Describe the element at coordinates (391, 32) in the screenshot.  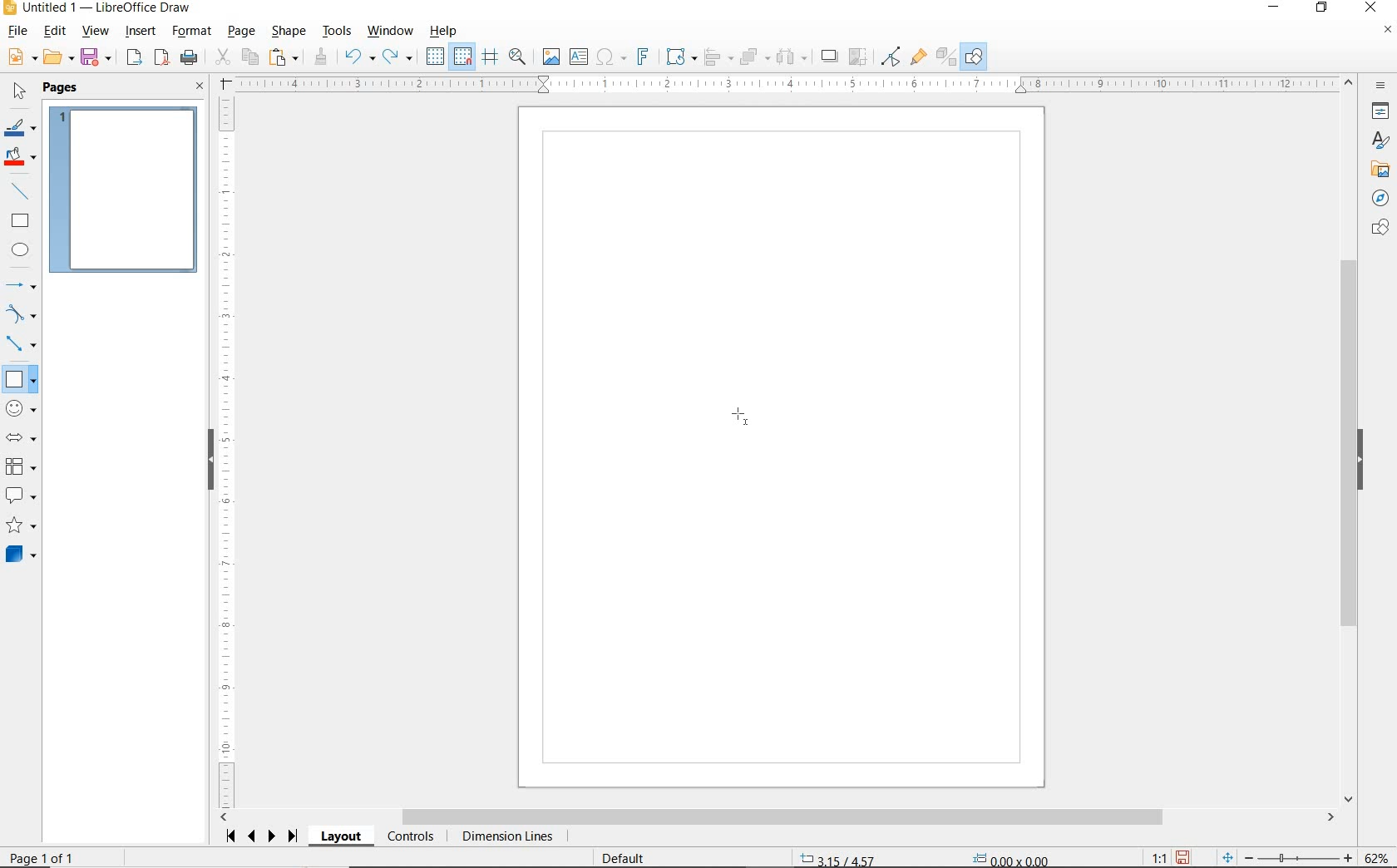
I see `WINDOW` at that location.